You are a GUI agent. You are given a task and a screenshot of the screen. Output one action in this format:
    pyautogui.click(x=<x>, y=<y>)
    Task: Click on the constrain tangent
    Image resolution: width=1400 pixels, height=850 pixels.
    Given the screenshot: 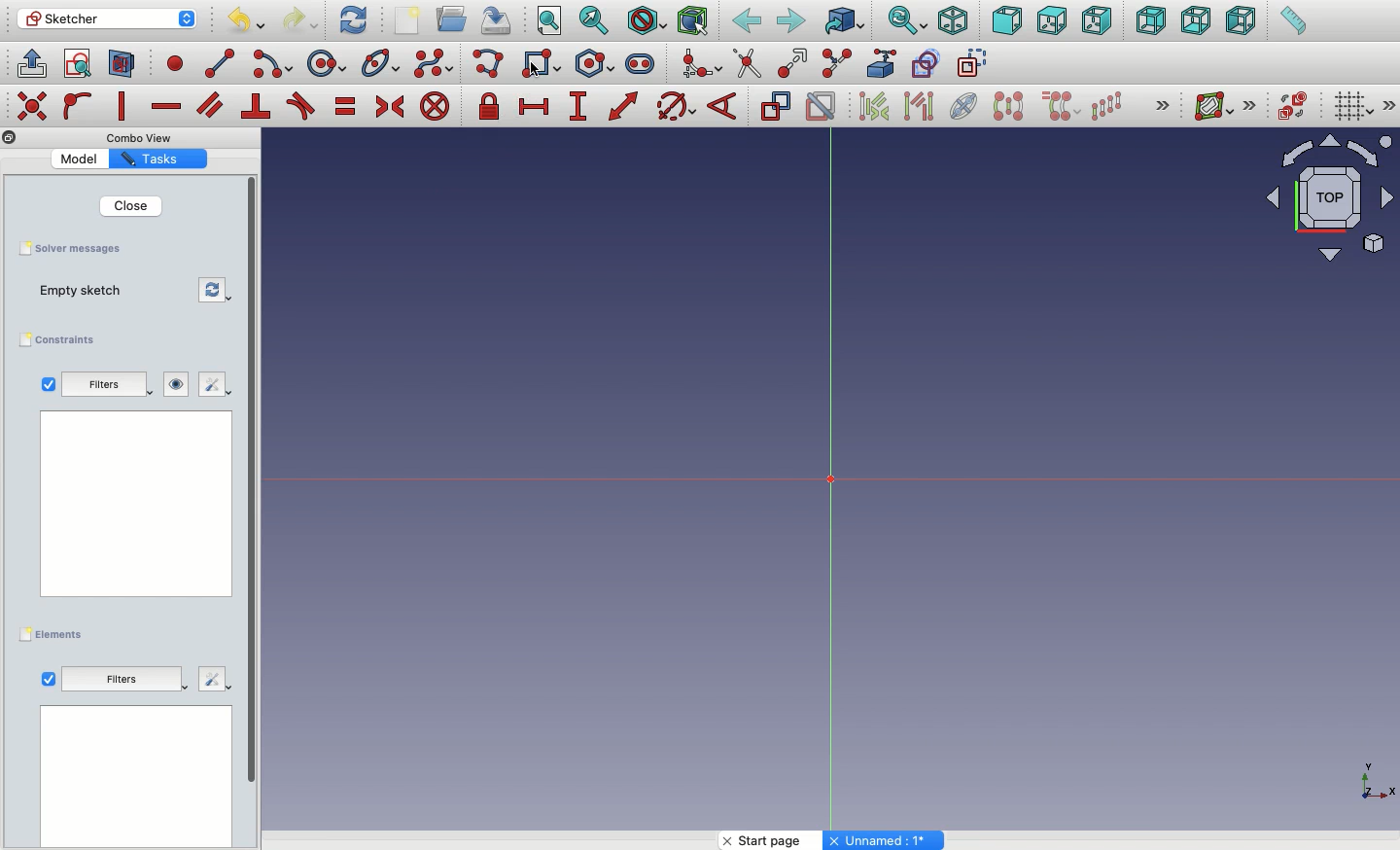 What is the action you would take?
    pyautogui.click(x=301, y=106)
    